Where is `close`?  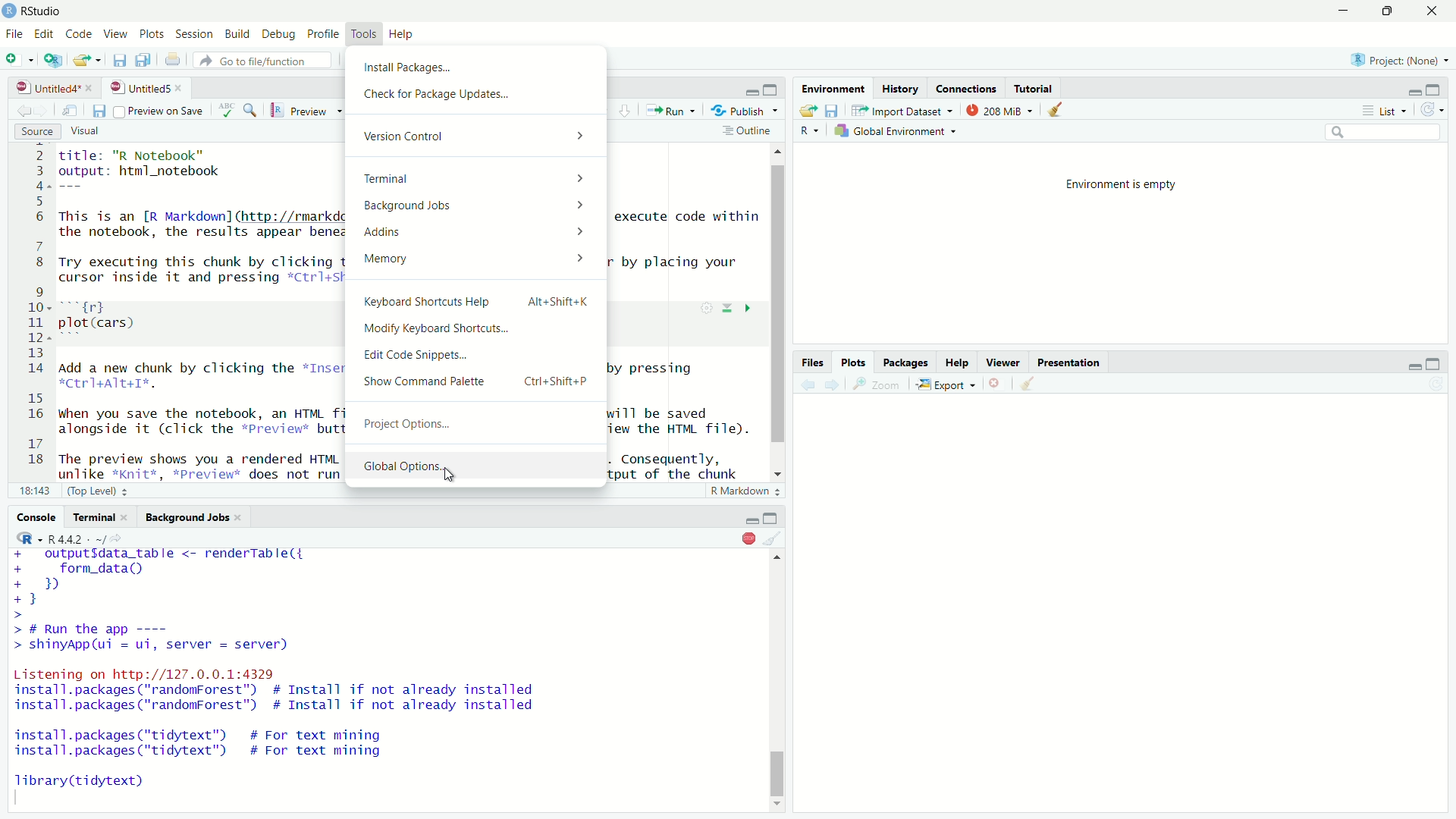 close is located at coordinates (92, 88).